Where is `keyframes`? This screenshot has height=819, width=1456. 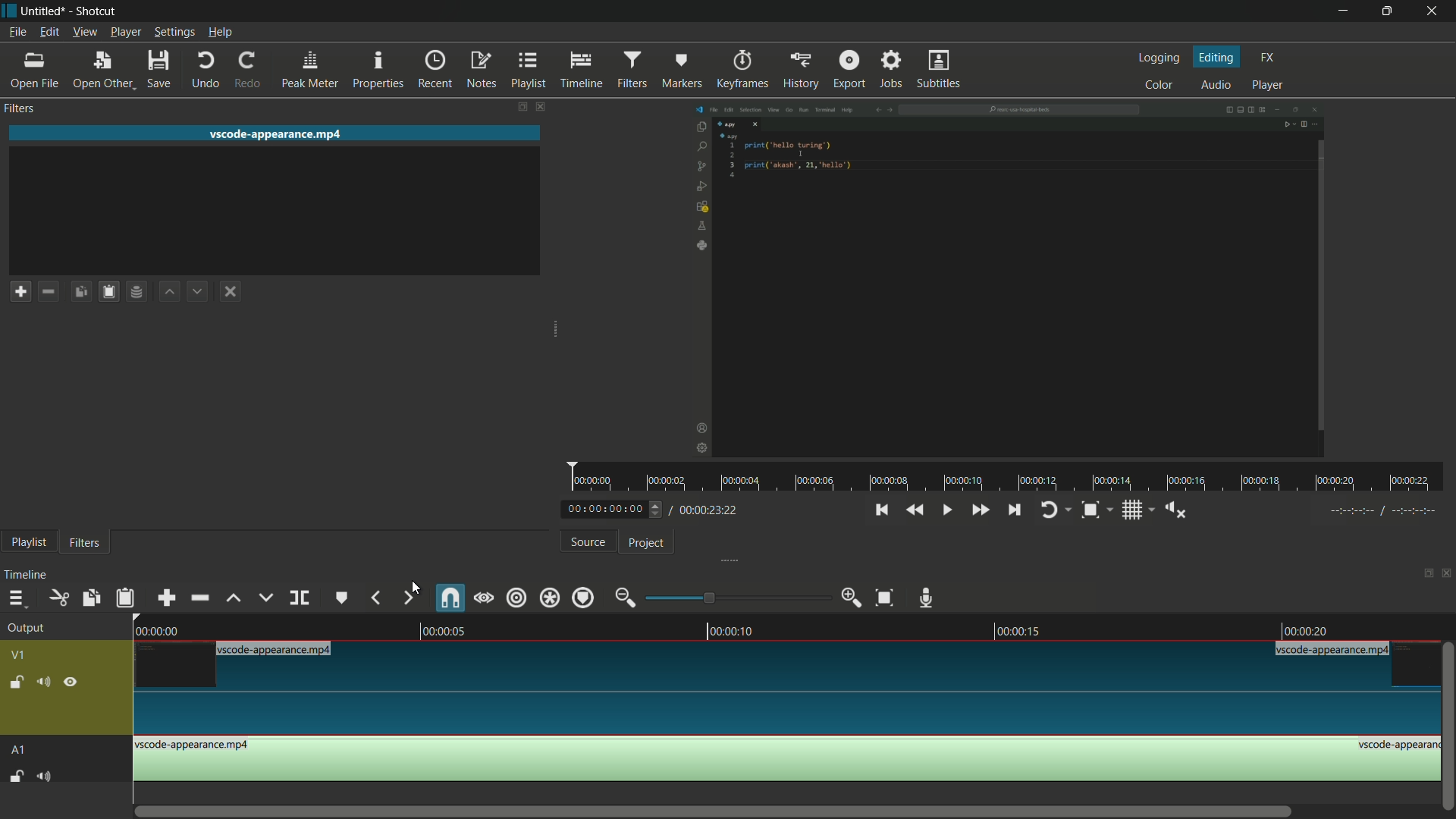
keyframes is located at coordinates (743, 70).